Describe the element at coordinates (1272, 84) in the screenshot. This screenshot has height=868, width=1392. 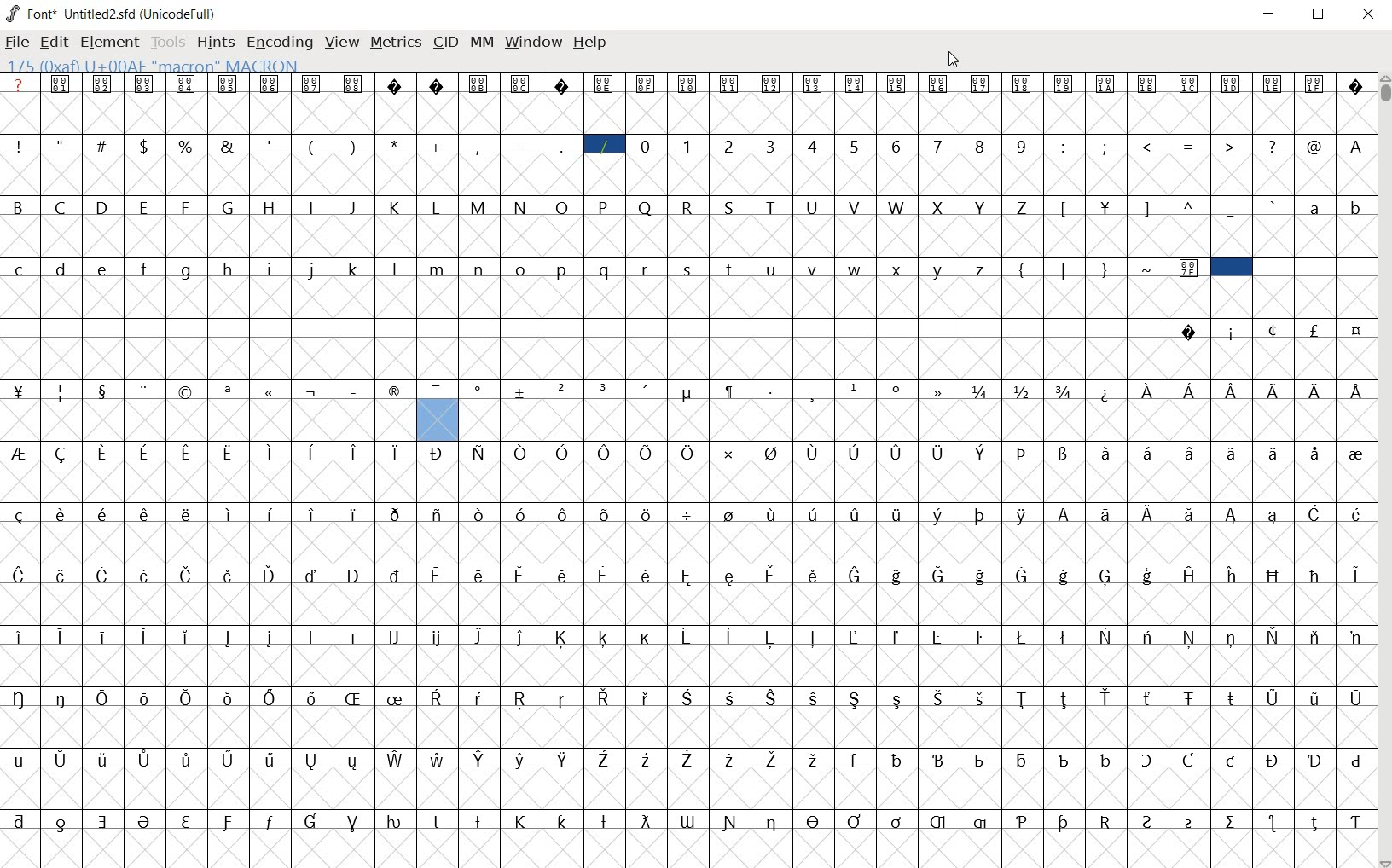
I see `Symbol` at that location.